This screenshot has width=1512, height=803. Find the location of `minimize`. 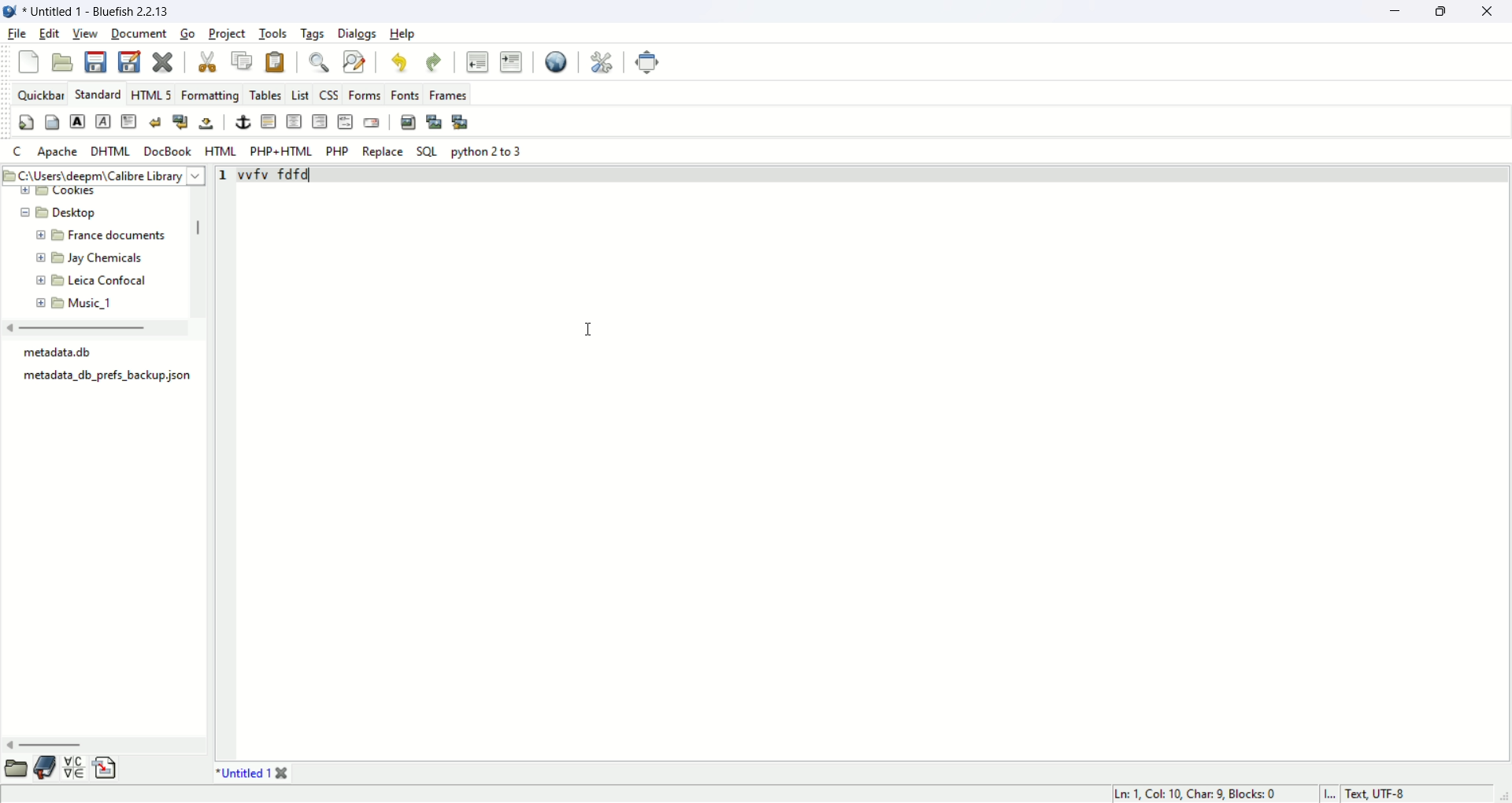

minimize is located at coordinates (1395, 13).